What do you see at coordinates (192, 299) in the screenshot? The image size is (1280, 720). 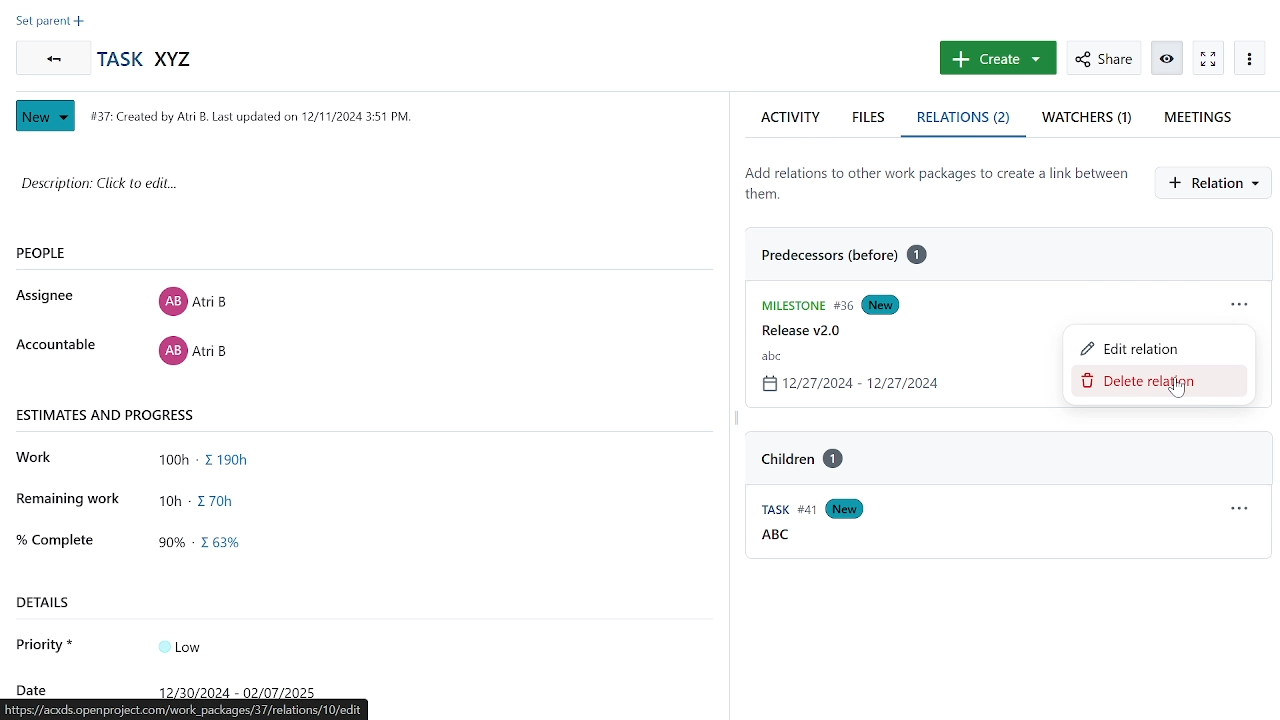 I see `Assignee` at bounding box center [192, 299].